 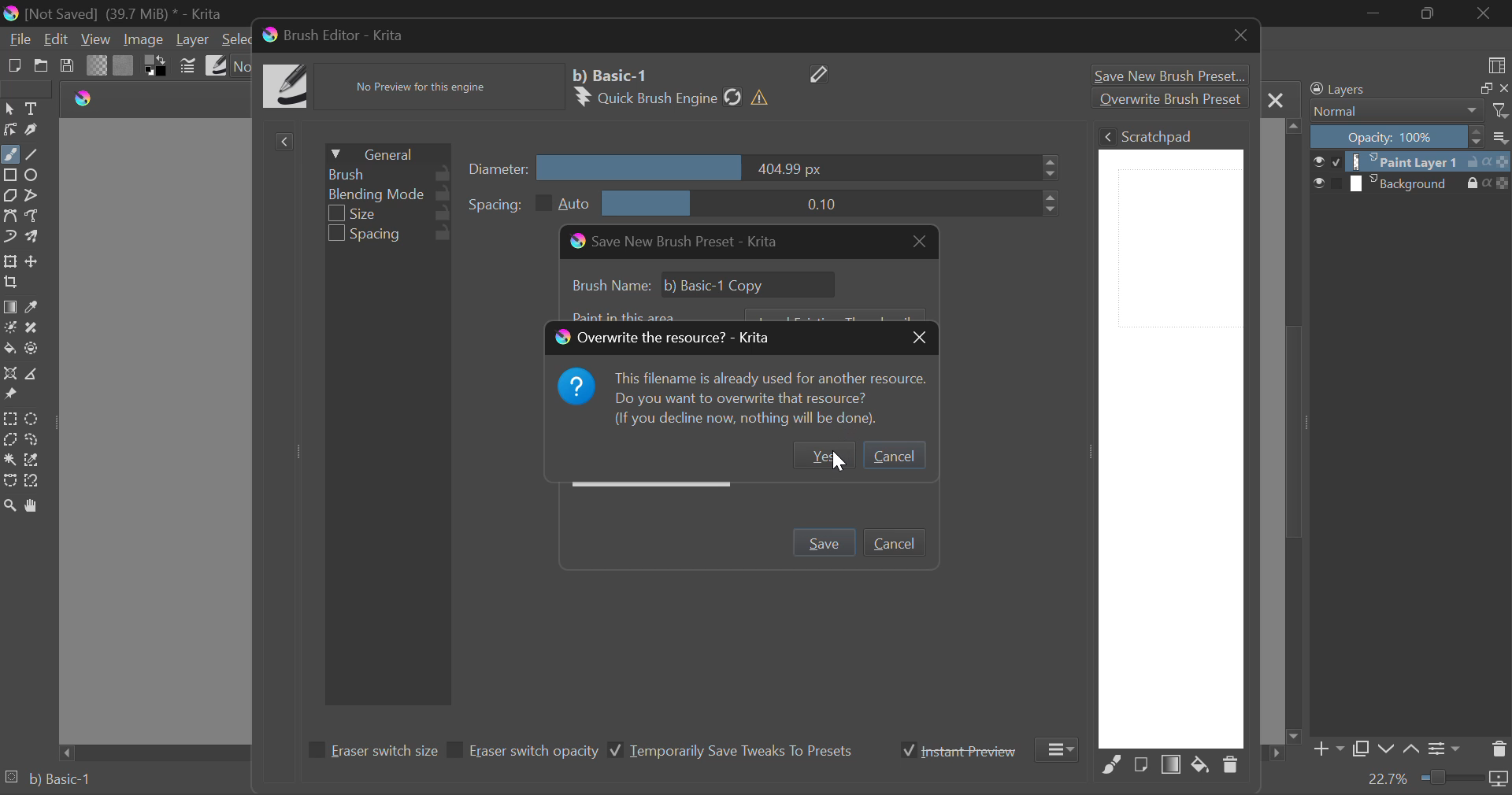 What do you see at coordinates (113, 13) in the screenshot?
I see `(Not Saved) (39,7 MB)* -Krita` at bounding box center [113, 13].